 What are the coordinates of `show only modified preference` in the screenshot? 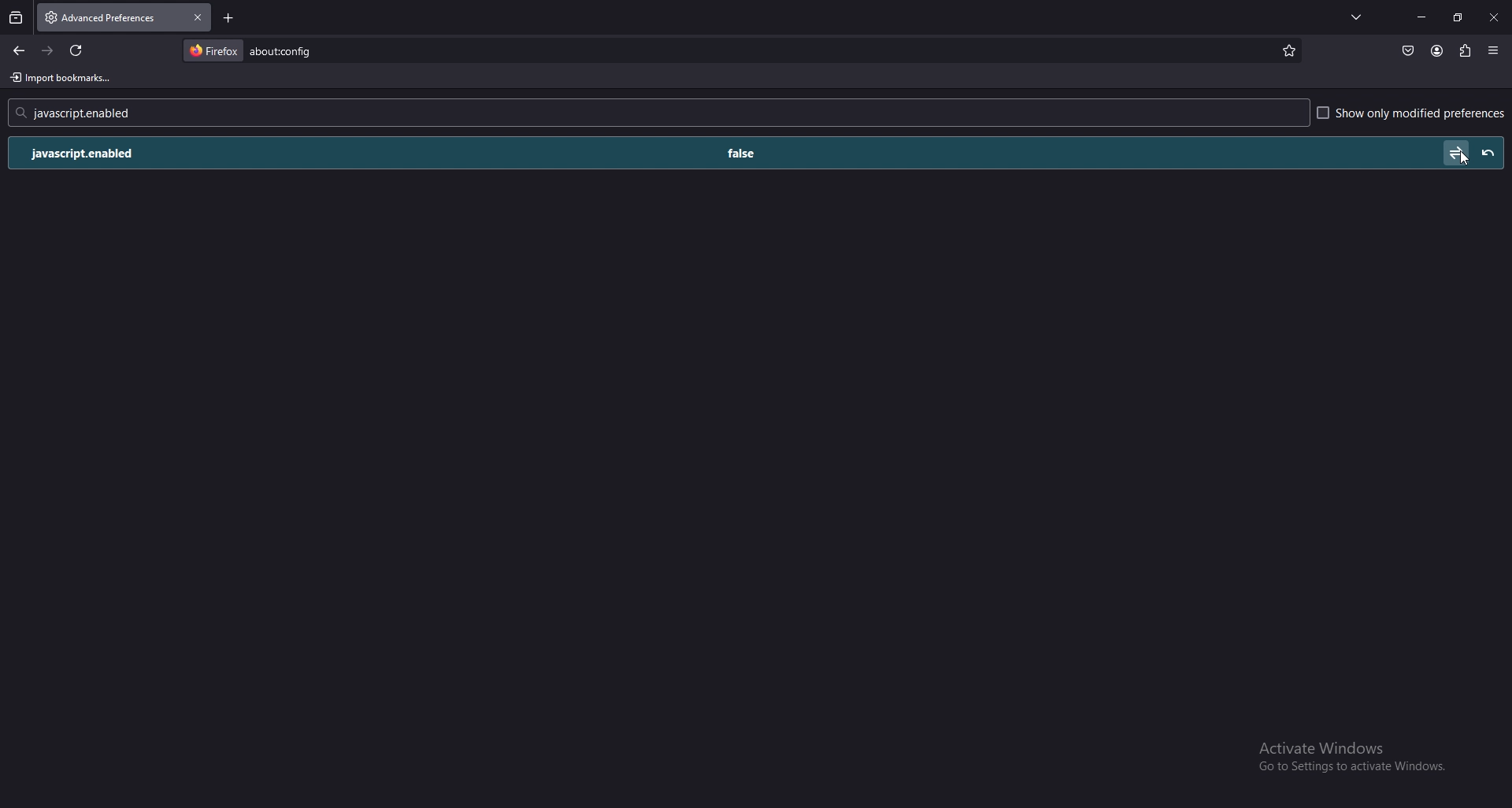 It's located at (1412, 114).